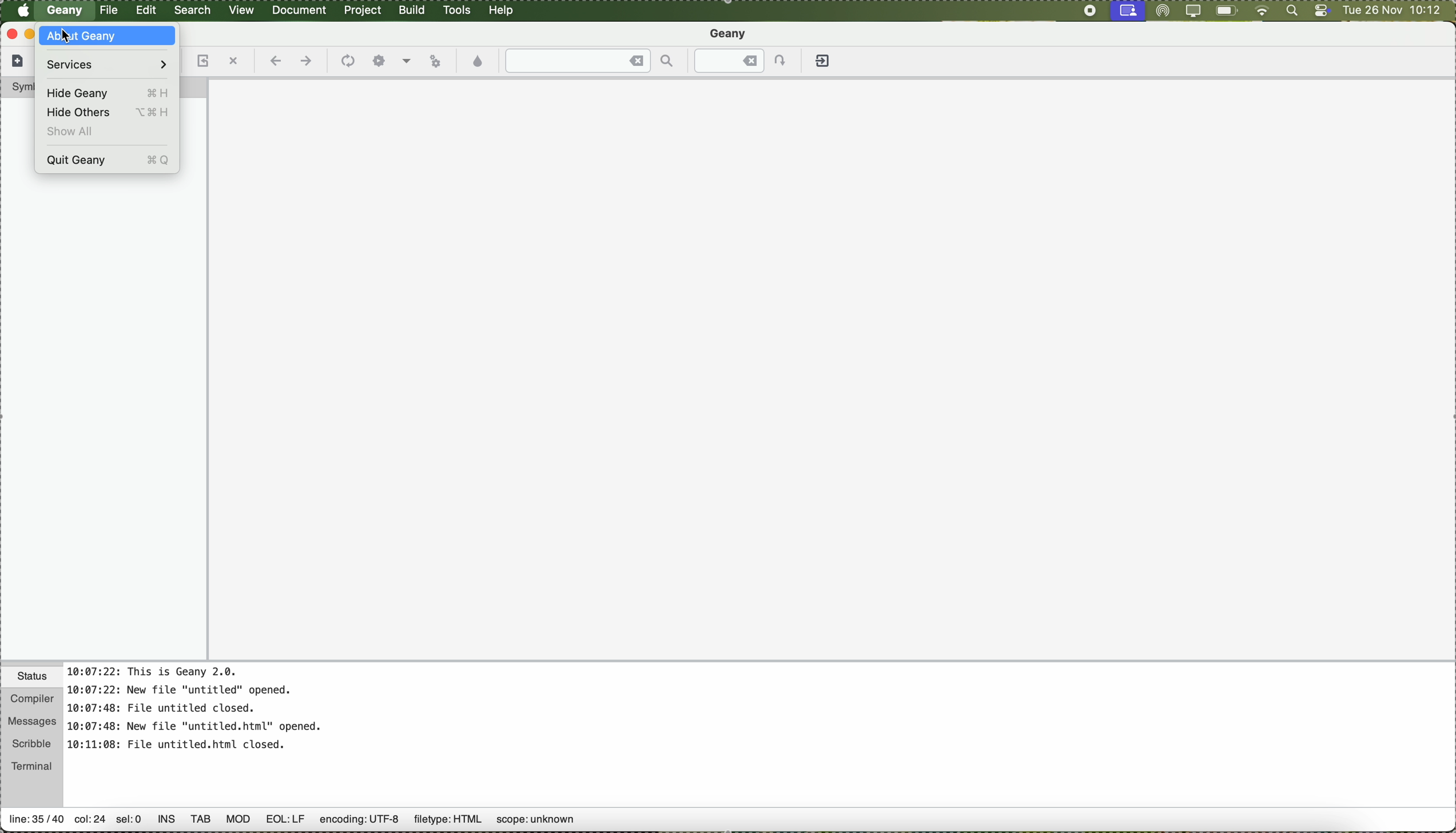 This screenshot has width=1456, height=833. I want to click on reload the current file from disk, so click(204, 61).